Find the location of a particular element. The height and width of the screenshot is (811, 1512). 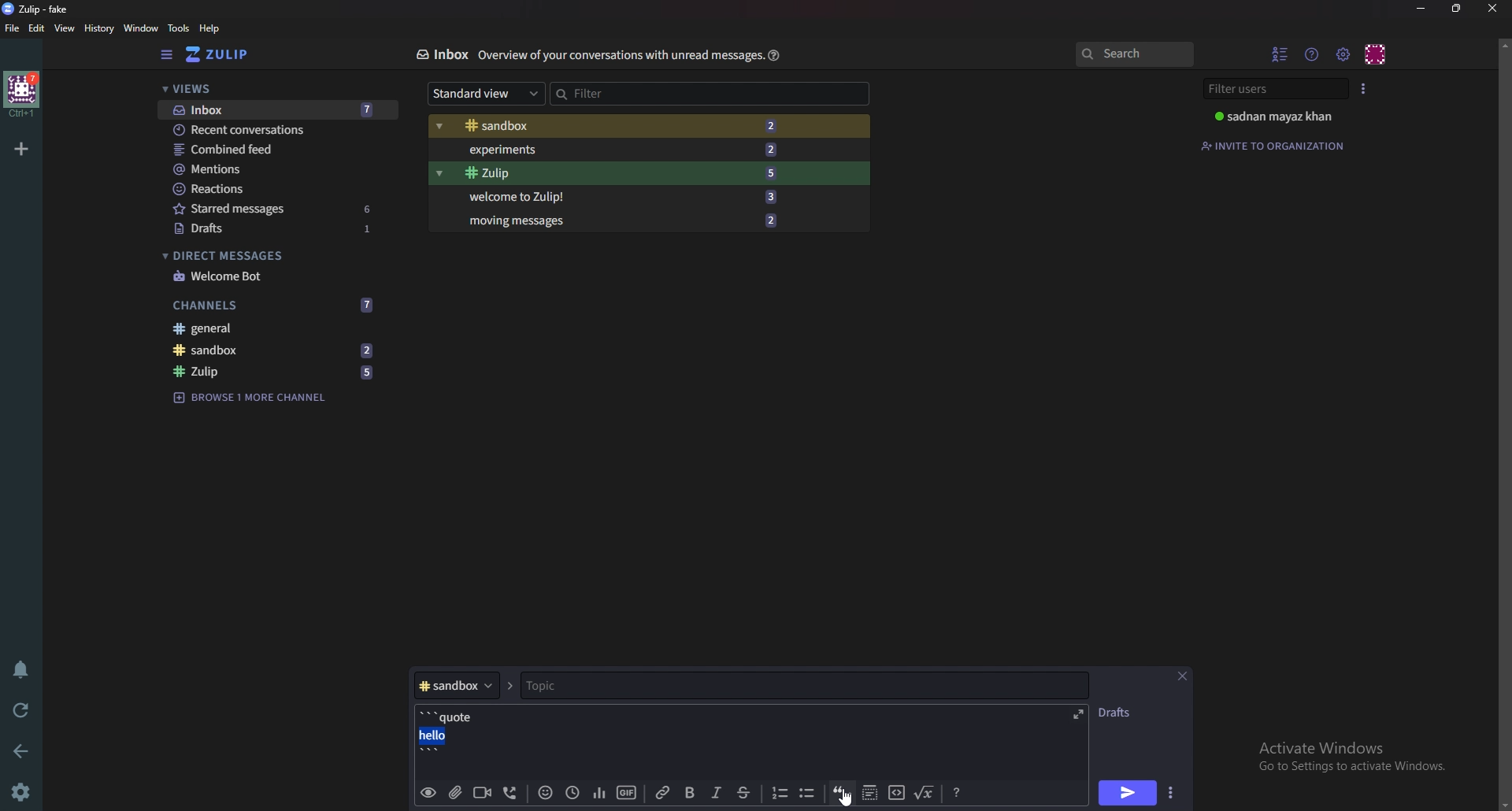

scroll bar is located at coordinates (1504, 424).